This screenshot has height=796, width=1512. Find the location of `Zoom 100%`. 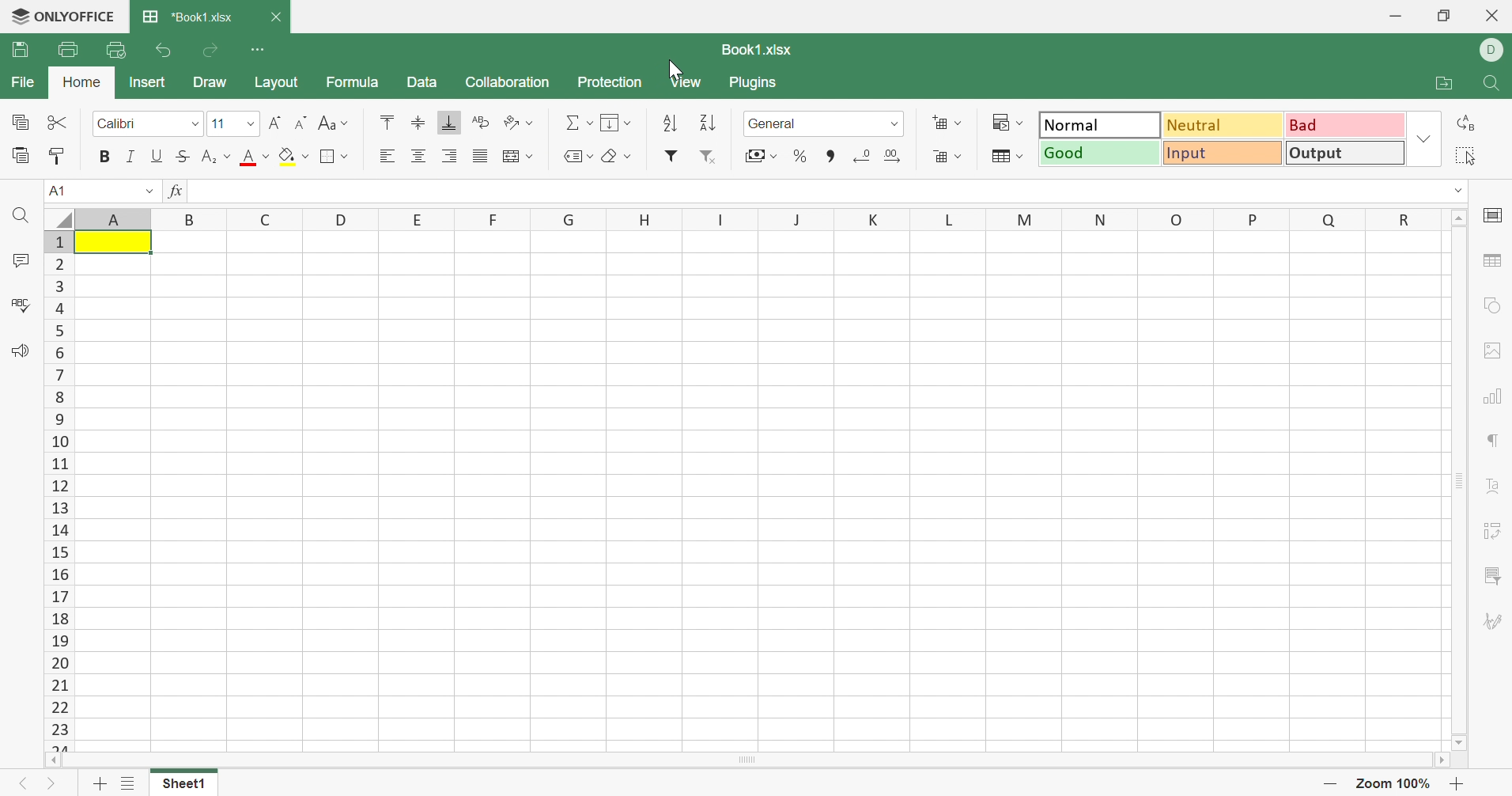

Zoom 100% is located at coordinates (1396, 783).